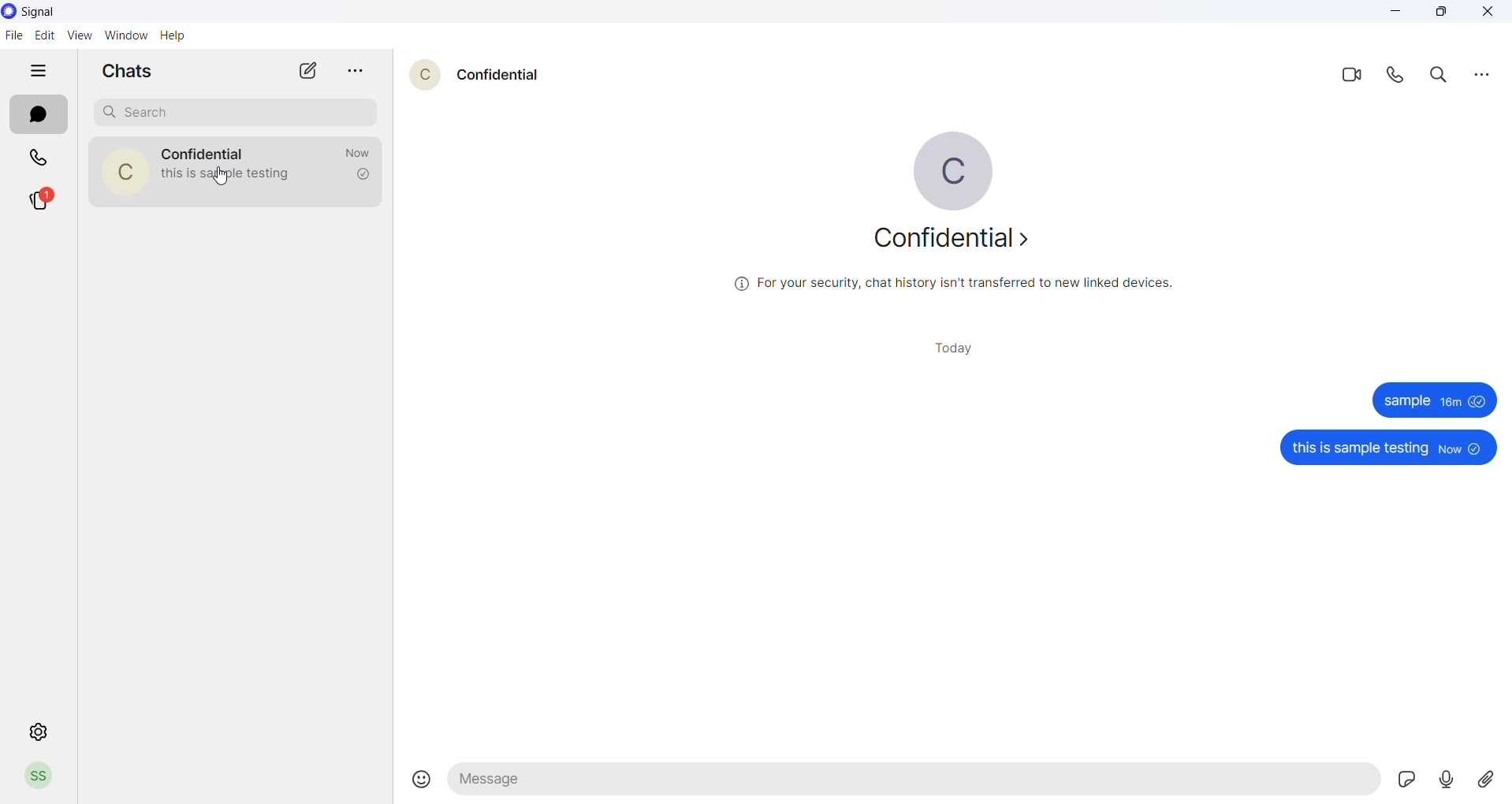  What do you see at coordinates (914, 780) in the screenshot?
I see `message box` at bounding box center [914, 780].